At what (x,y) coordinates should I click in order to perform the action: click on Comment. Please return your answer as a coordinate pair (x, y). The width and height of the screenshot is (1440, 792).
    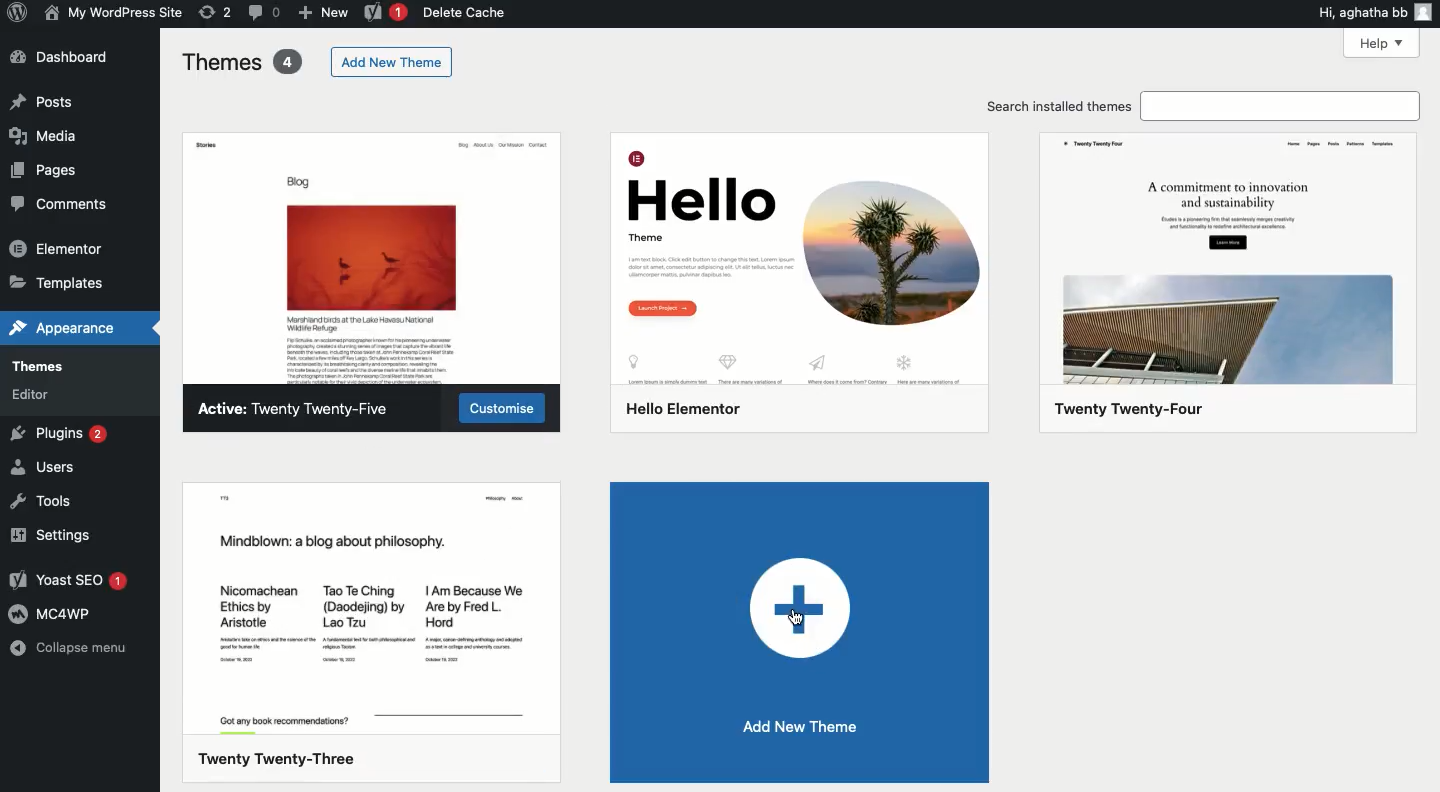
    Looking at the image, I should click on (265, 12).